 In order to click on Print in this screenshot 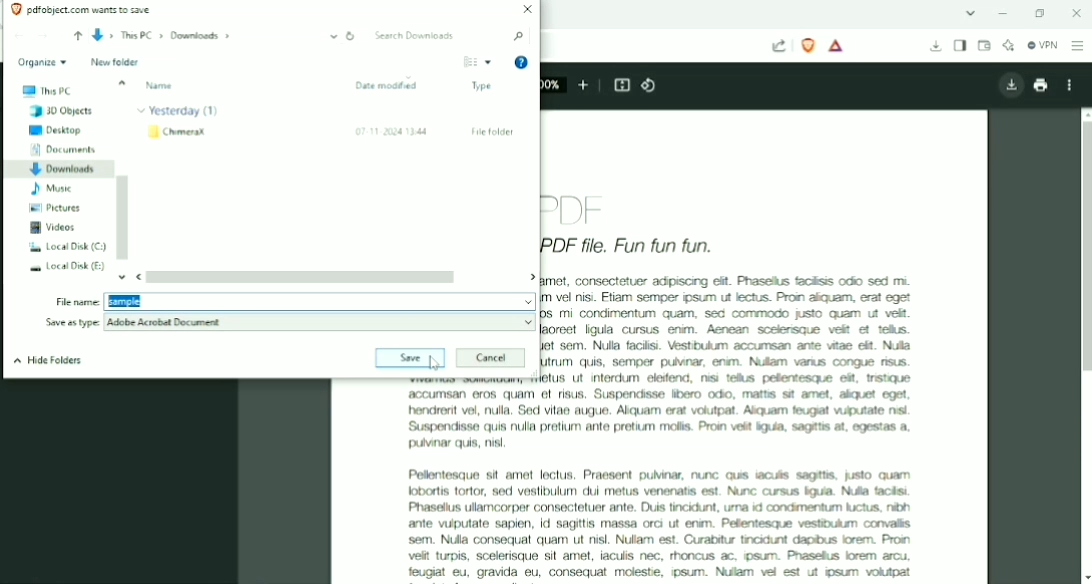, I will do `click(1040, 85)`.